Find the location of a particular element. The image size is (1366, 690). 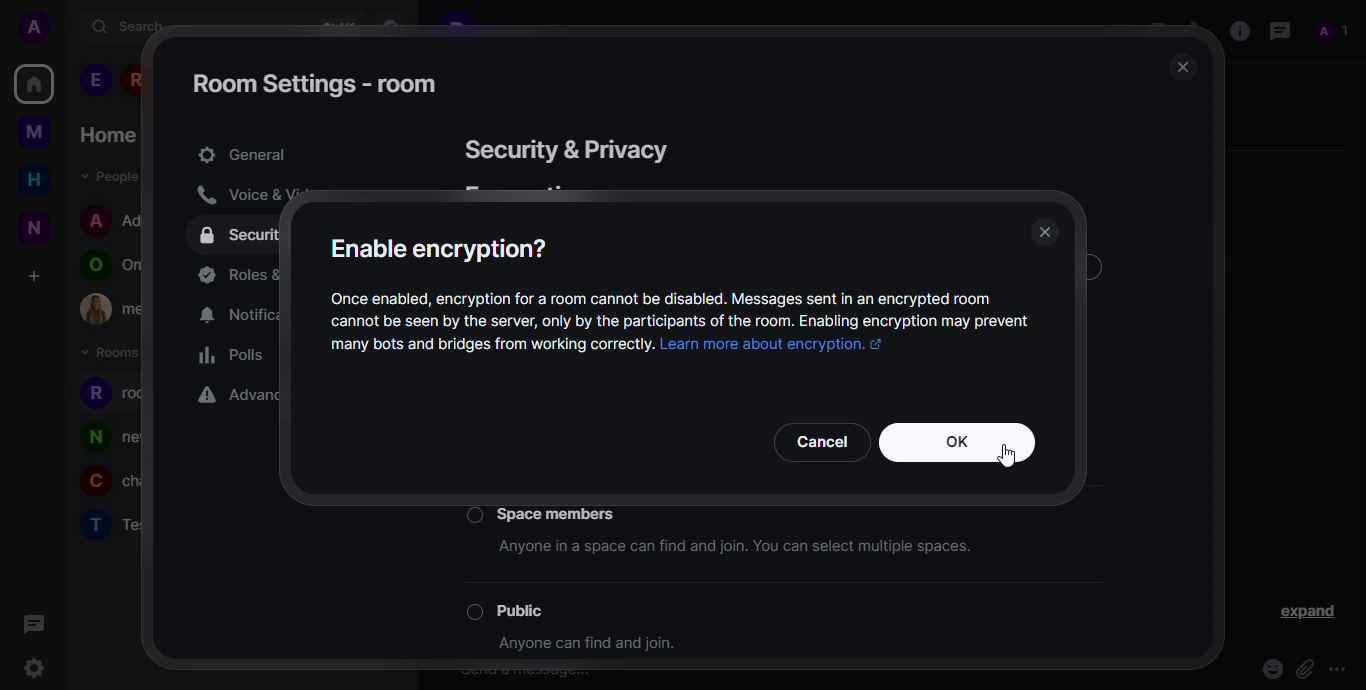

security is located at coordinates (238, 236).